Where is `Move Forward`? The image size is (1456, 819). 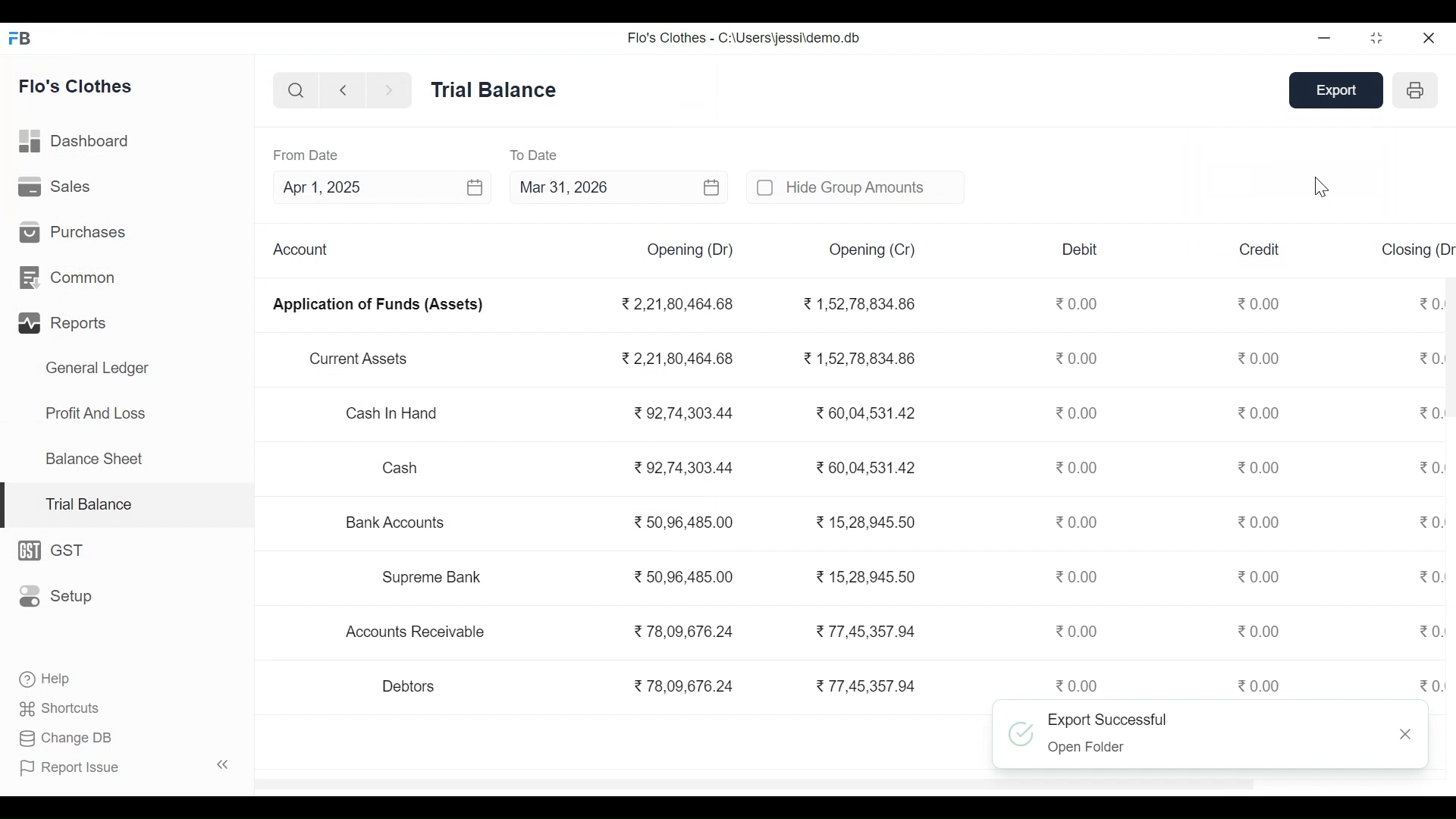
Move Forward is located at coordinates (390, 90).